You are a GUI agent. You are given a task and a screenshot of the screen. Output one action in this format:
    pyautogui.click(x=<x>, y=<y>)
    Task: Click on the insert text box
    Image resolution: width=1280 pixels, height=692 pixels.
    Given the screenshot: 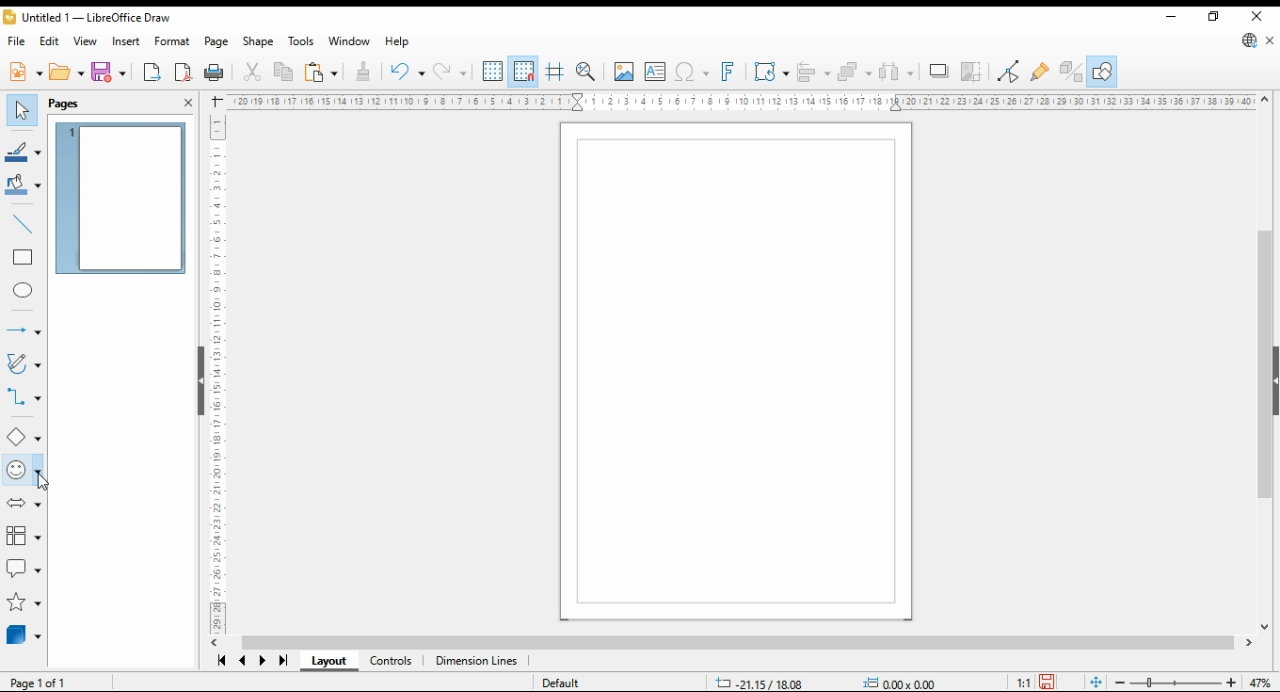 What is the action you would take?
    pyautogui.click(x=656, y=72)
    